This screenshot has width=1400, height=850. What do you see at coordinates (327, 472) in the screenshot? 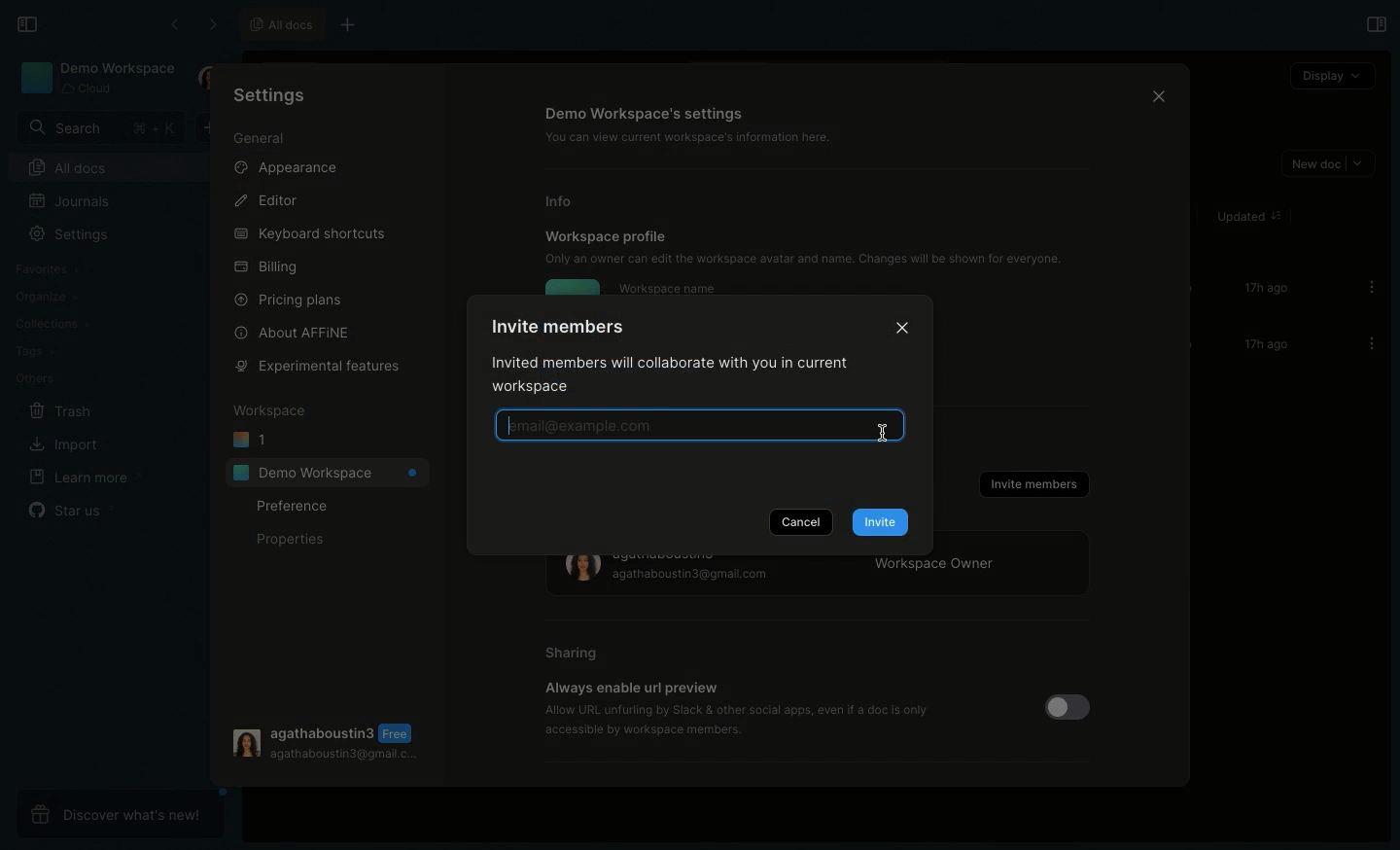
I see `Demo workspace` at bounding box center [327, 472].